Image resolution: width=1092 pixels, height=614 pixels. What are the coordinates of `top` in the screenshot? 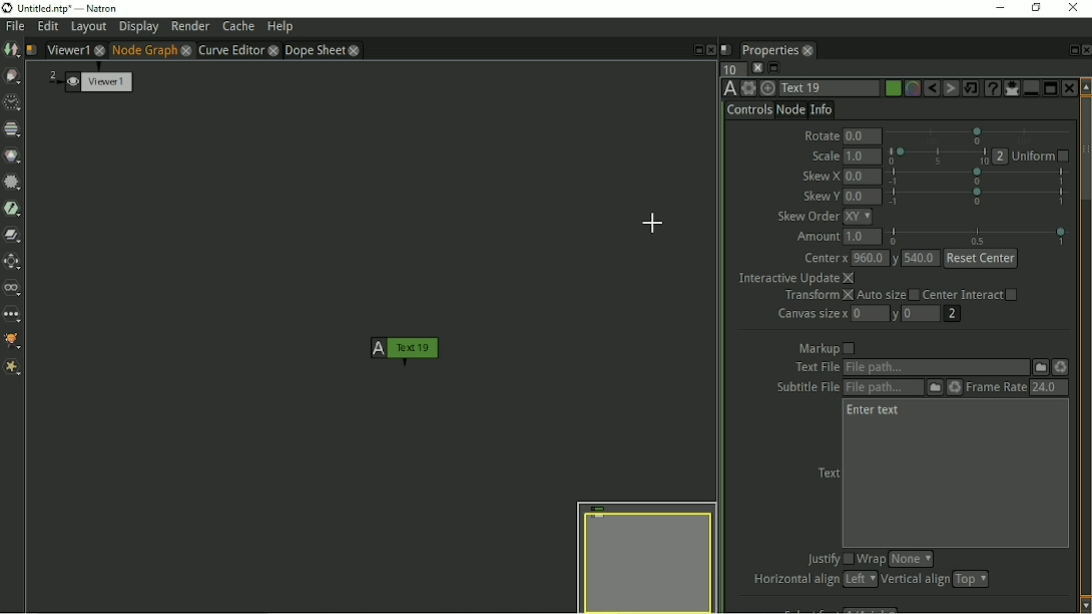 It's located at (975, 579).